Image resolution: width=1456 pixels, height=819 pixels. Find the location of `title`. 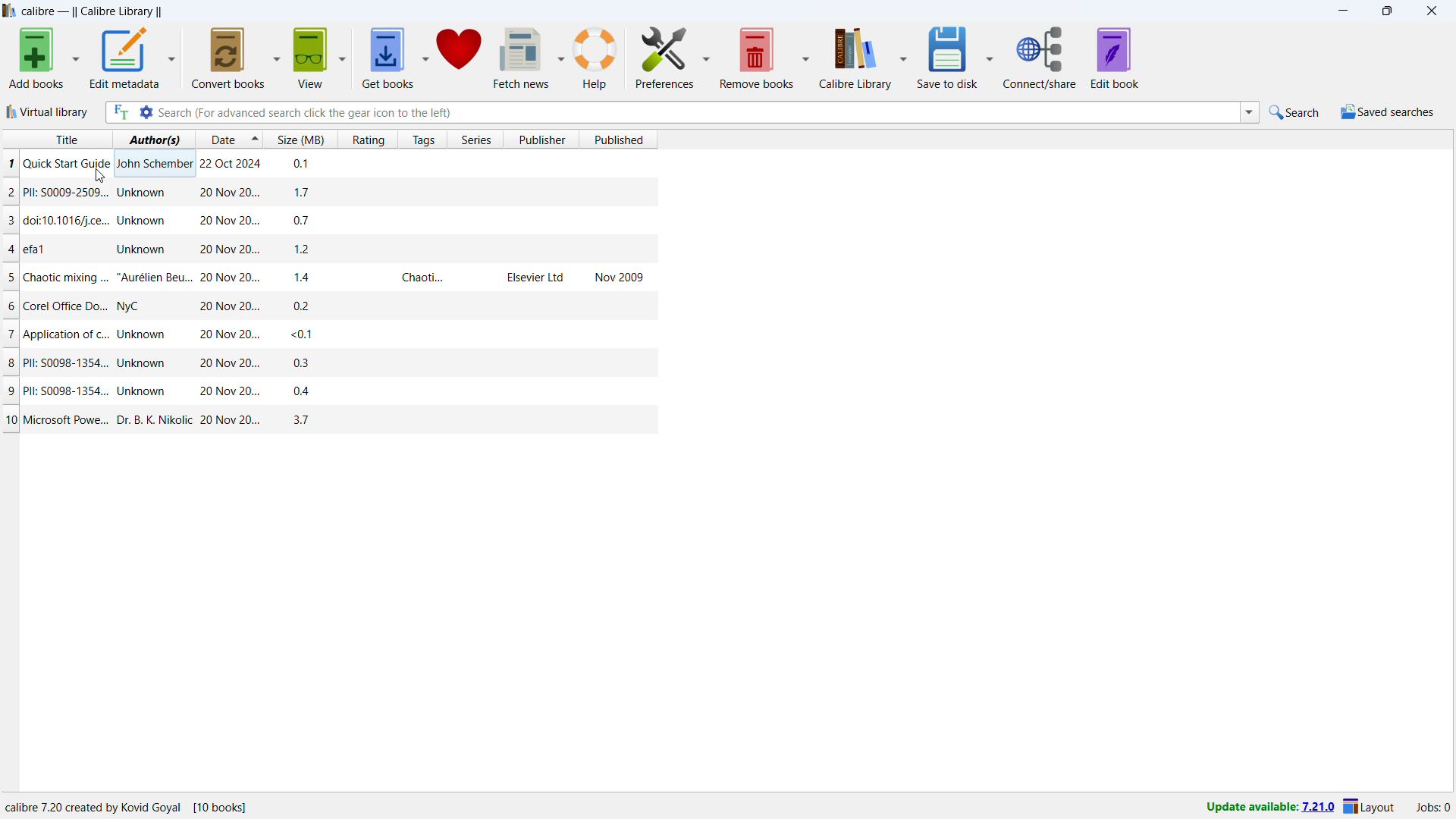

title is located at coordinates (93, 11).